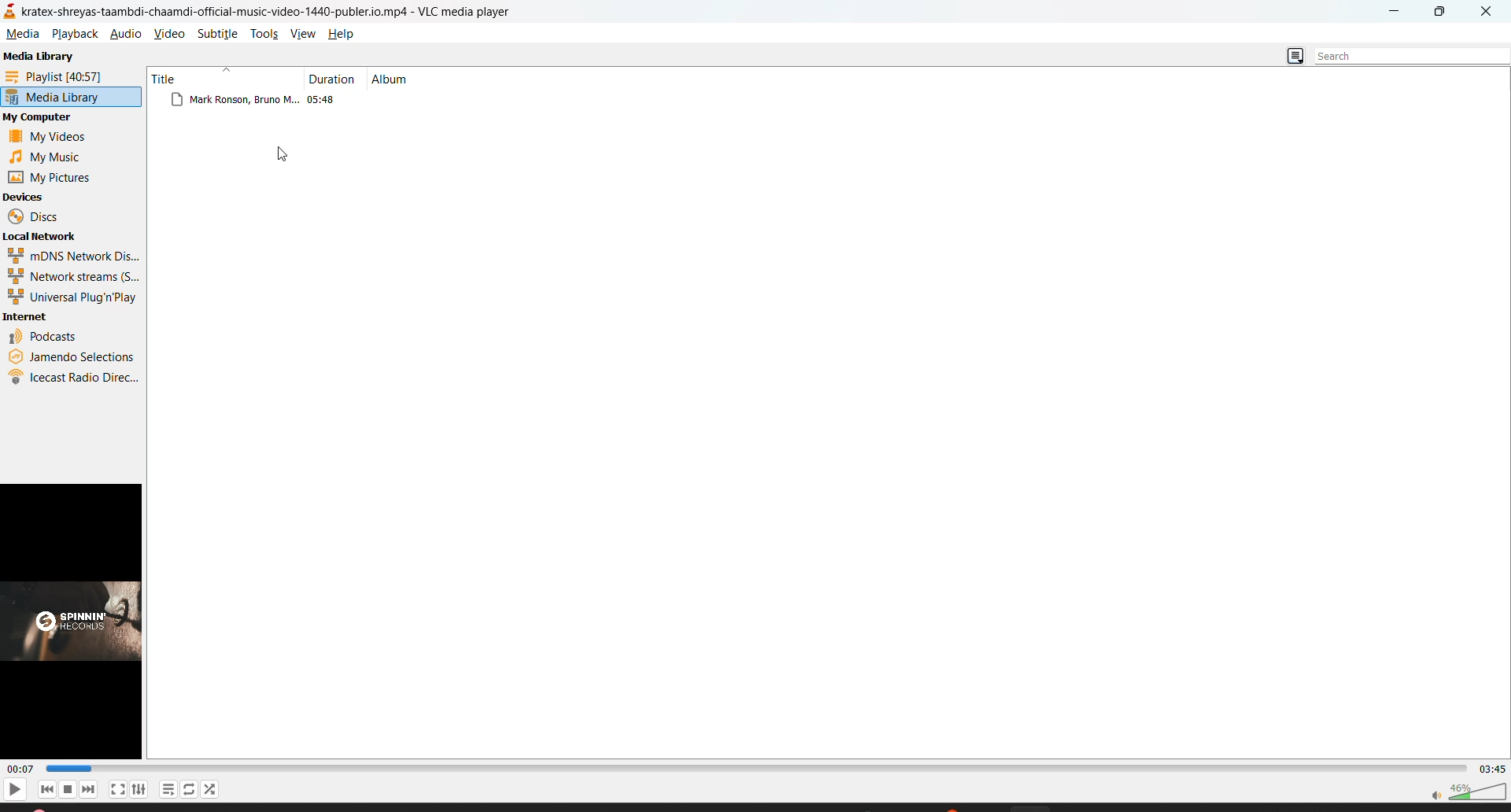 Image resolution: width=1511 pixels, height=812 pixels. What do you see at coordinates (1445, 13) in the screenshot?
I see `maximize` at bounding box center [1445, 13].